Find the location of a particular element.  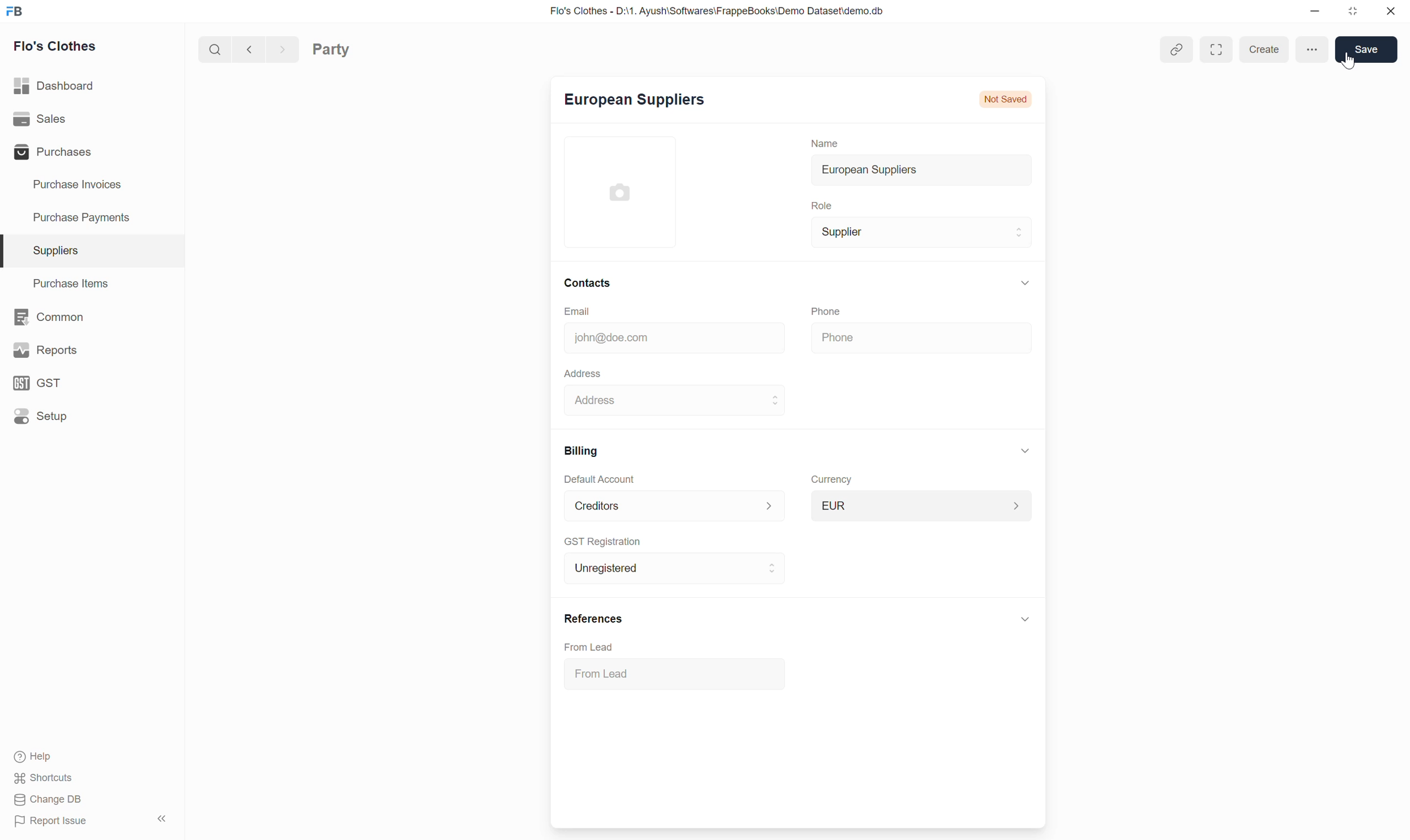

create is located at coordinates (1262, 48).